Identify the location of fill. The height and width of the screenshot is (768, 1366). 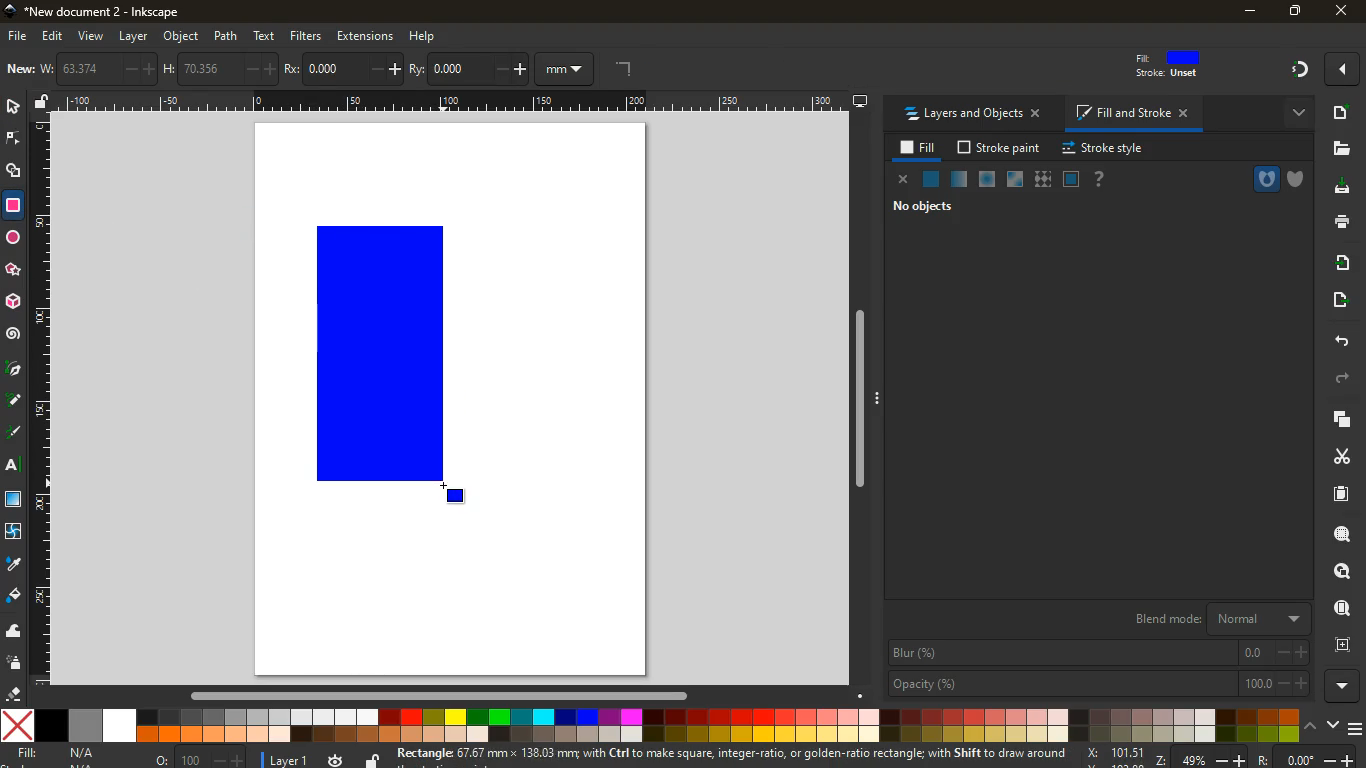
(1169, 64).